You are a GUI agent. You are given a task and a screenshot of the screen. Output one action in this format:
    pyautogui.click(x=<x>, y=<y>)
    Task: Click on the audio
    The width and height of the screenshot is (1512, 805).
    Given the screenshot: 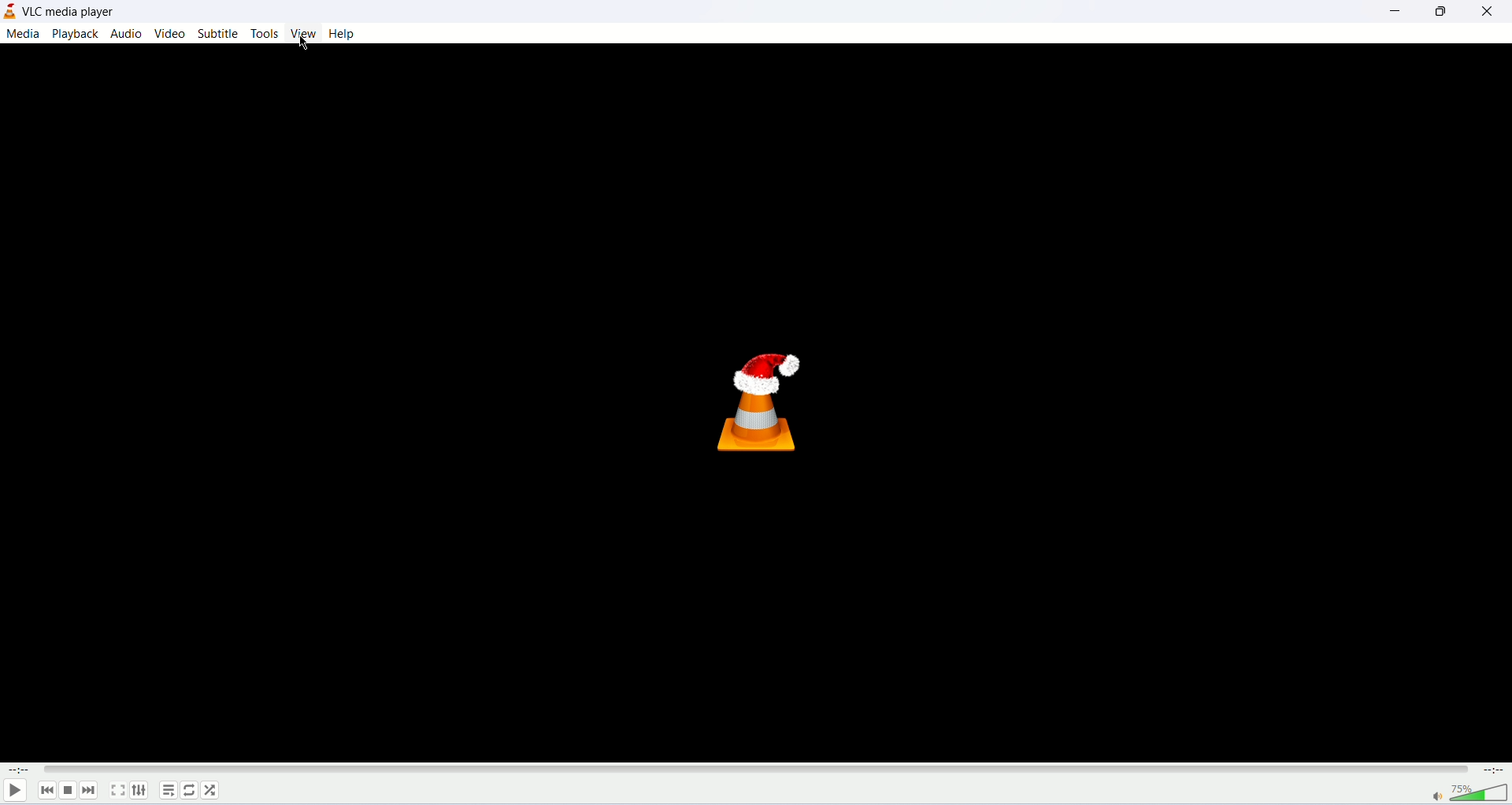 What is the action you would take?
    pyautogui.click(x=128, y=34)
    